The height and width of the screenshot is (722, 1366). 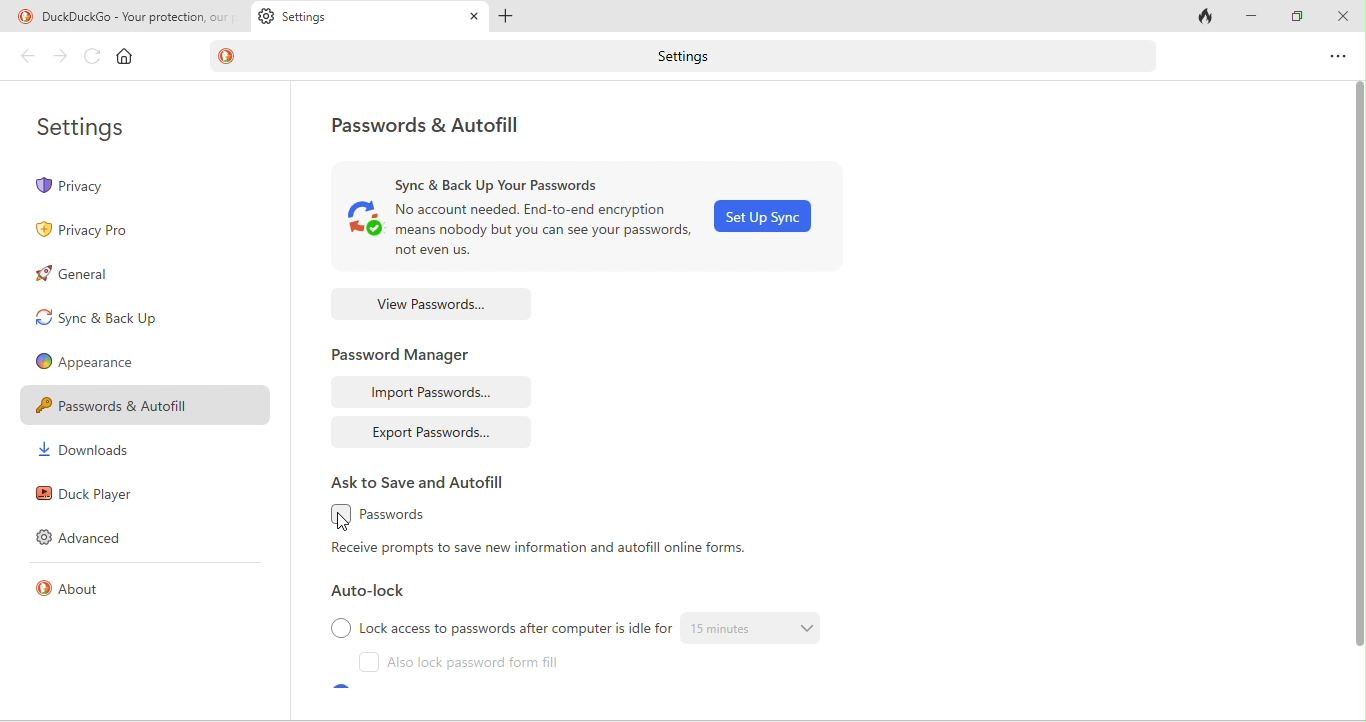 I want to click on duck player, so click(x=106, y=496).